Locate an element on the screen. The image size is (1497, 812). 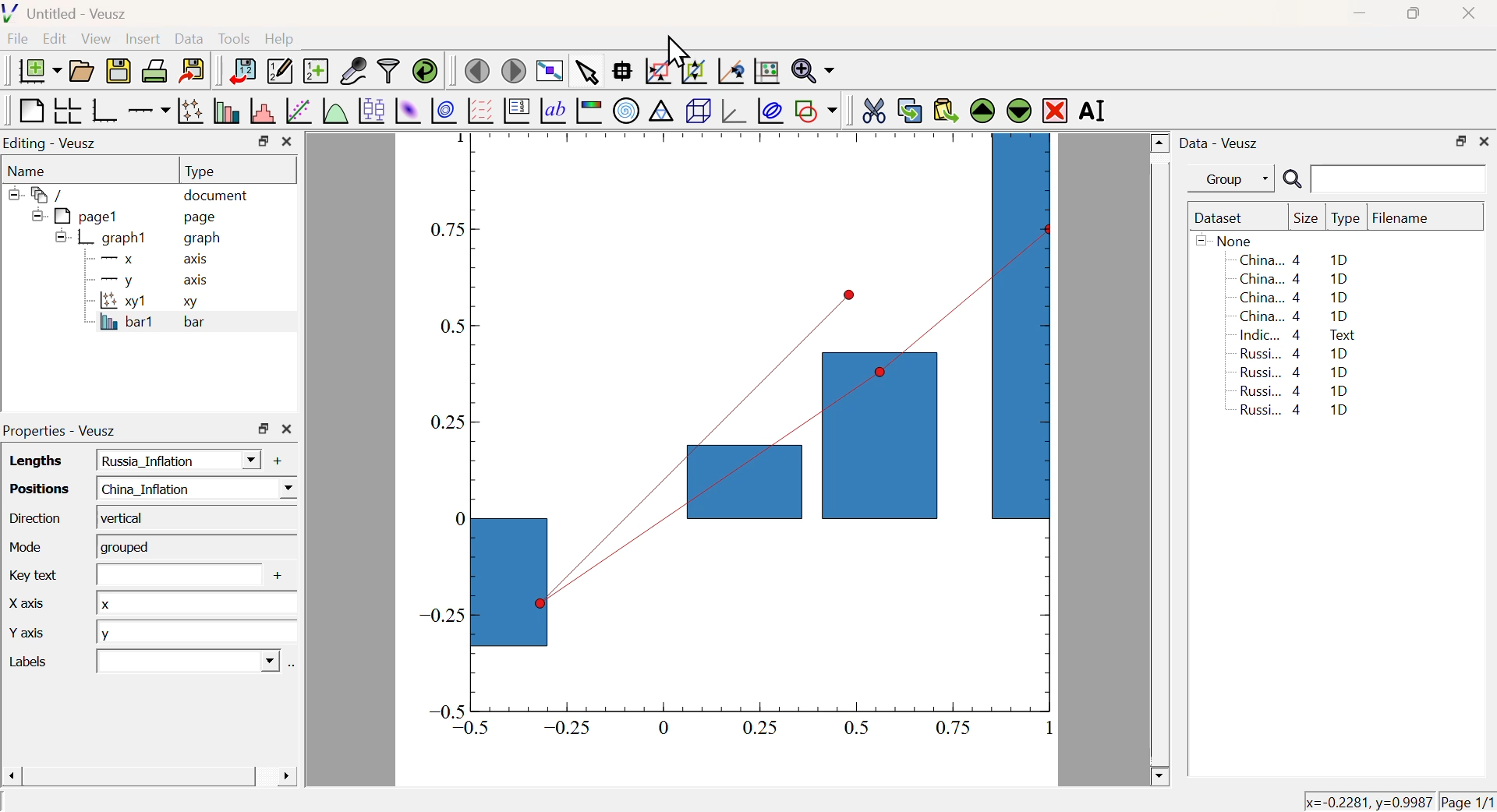
x is located at coordinates (190, 602).